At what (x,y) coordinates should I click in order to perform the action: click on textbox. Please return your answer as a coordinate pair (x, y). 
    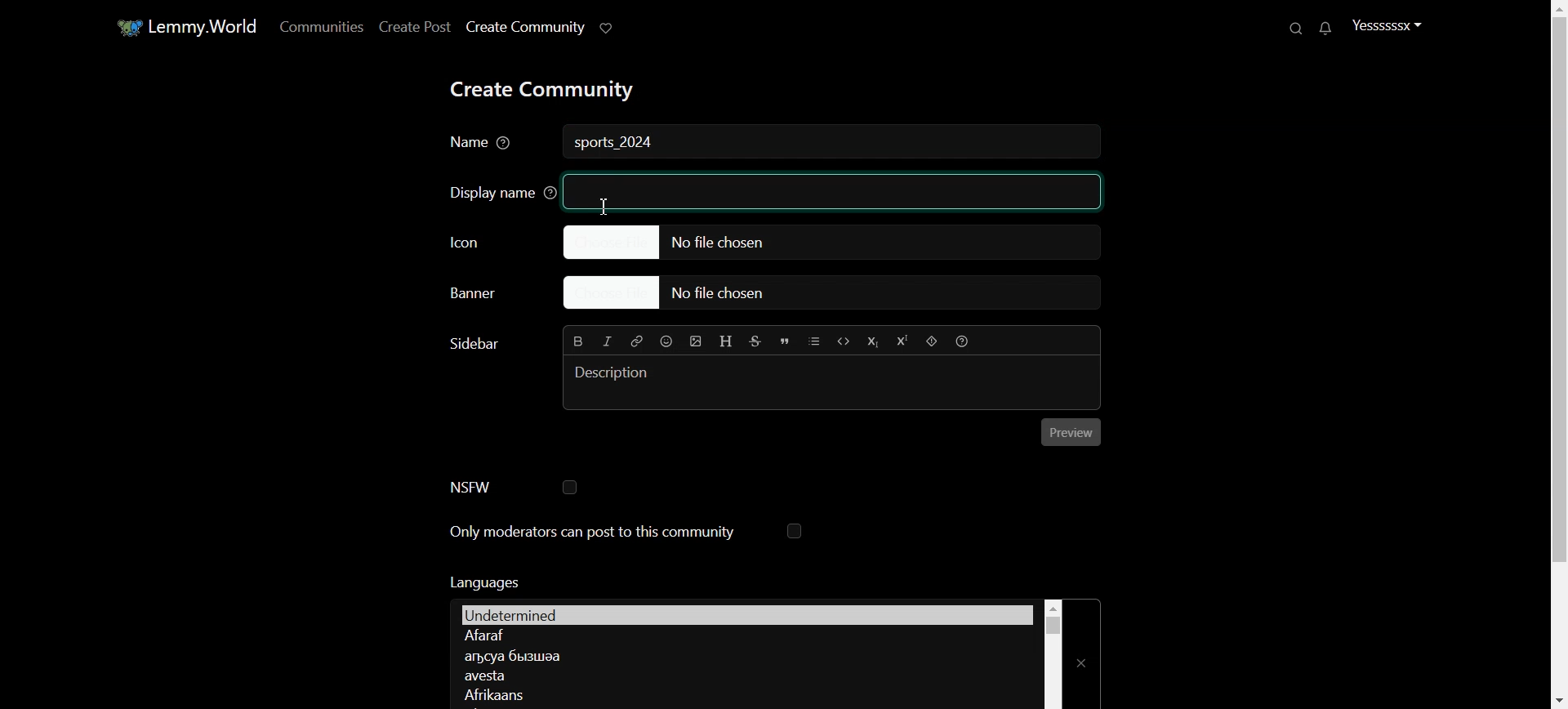
    Looking at the image, I should click on (836, 191).